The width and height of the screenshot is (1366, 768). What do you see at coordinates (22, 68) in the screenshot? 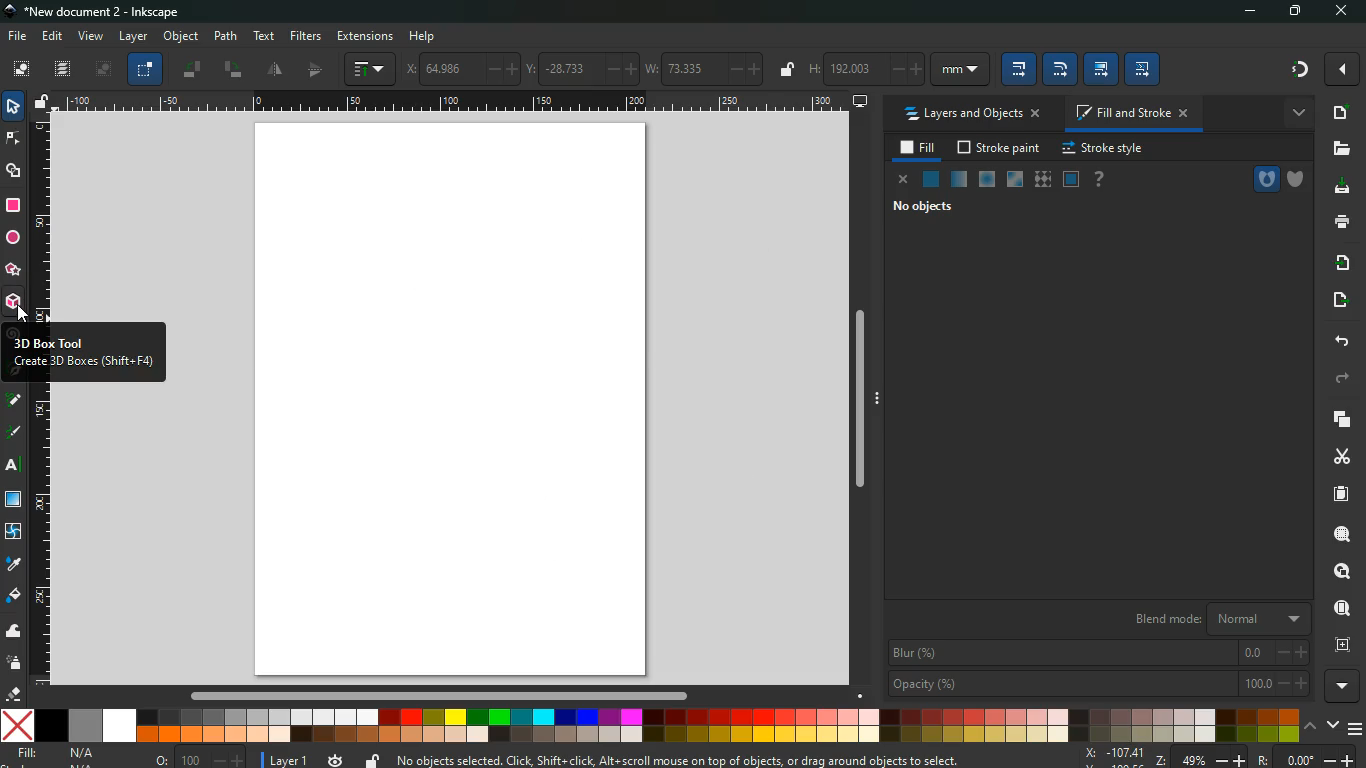
I see `photo` at bounding box center [22, 68].